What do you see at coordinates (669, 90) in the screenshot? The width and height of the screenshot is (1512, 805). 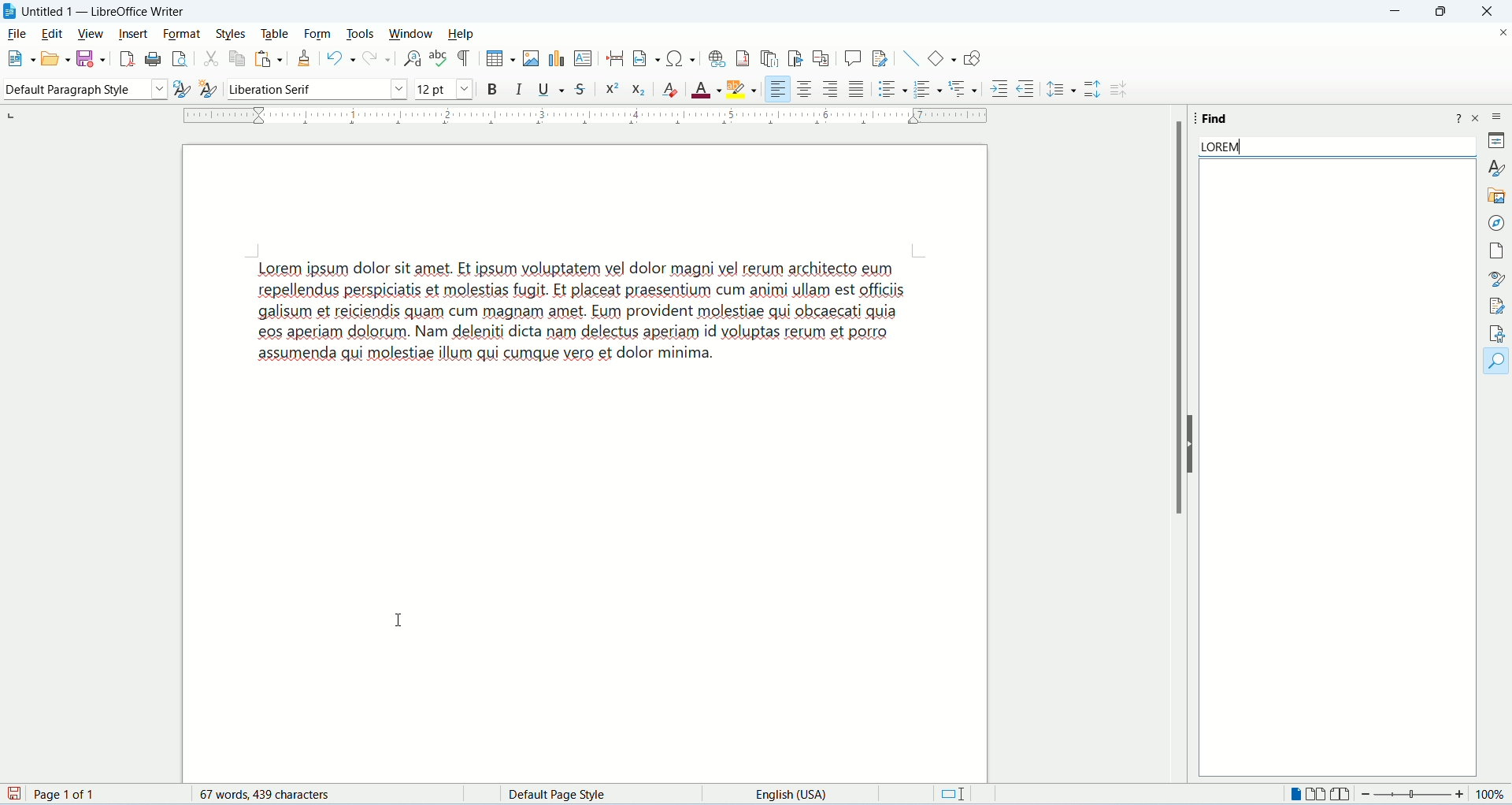 I see `clear formatting` at bounding box center [669, 90].